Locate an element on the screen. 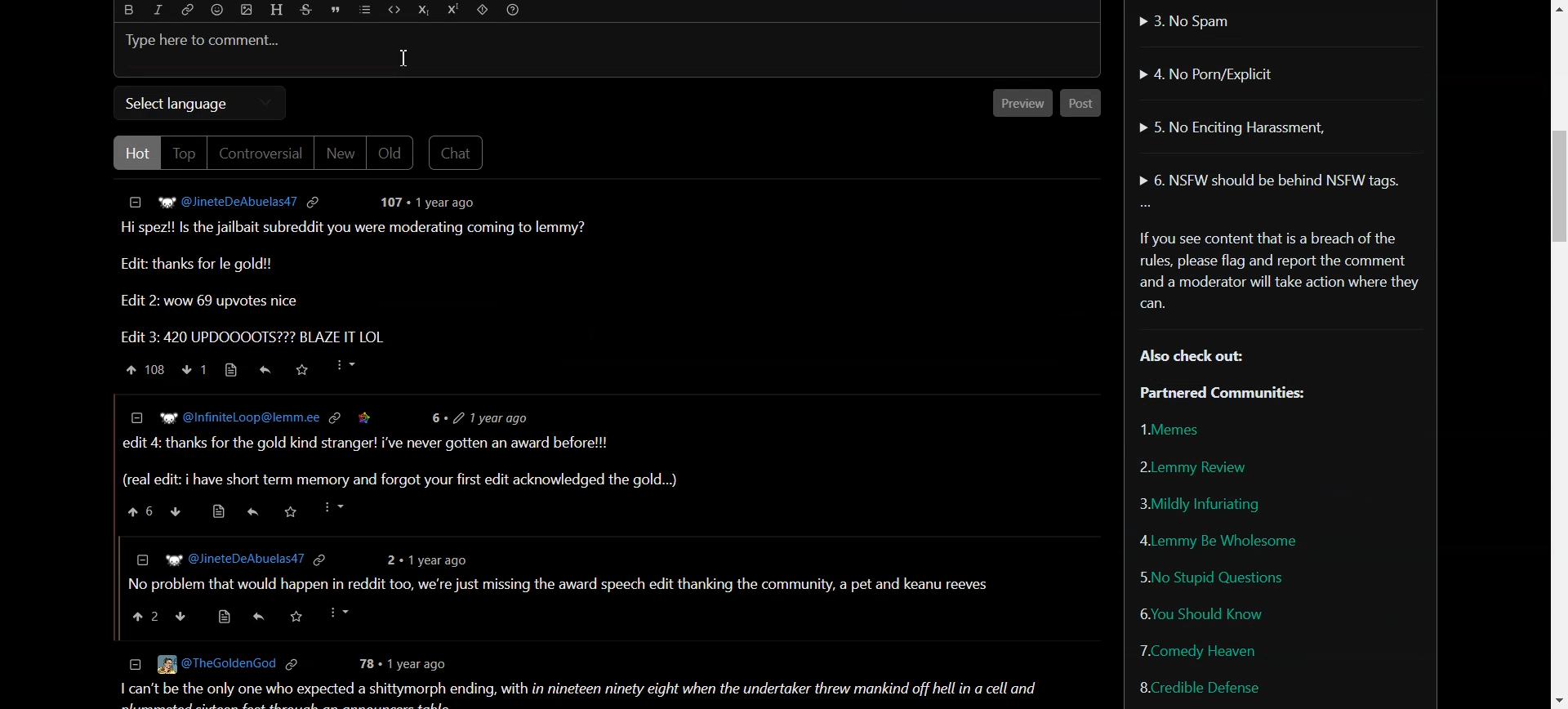  Text is located at coordinates (1255, 354).